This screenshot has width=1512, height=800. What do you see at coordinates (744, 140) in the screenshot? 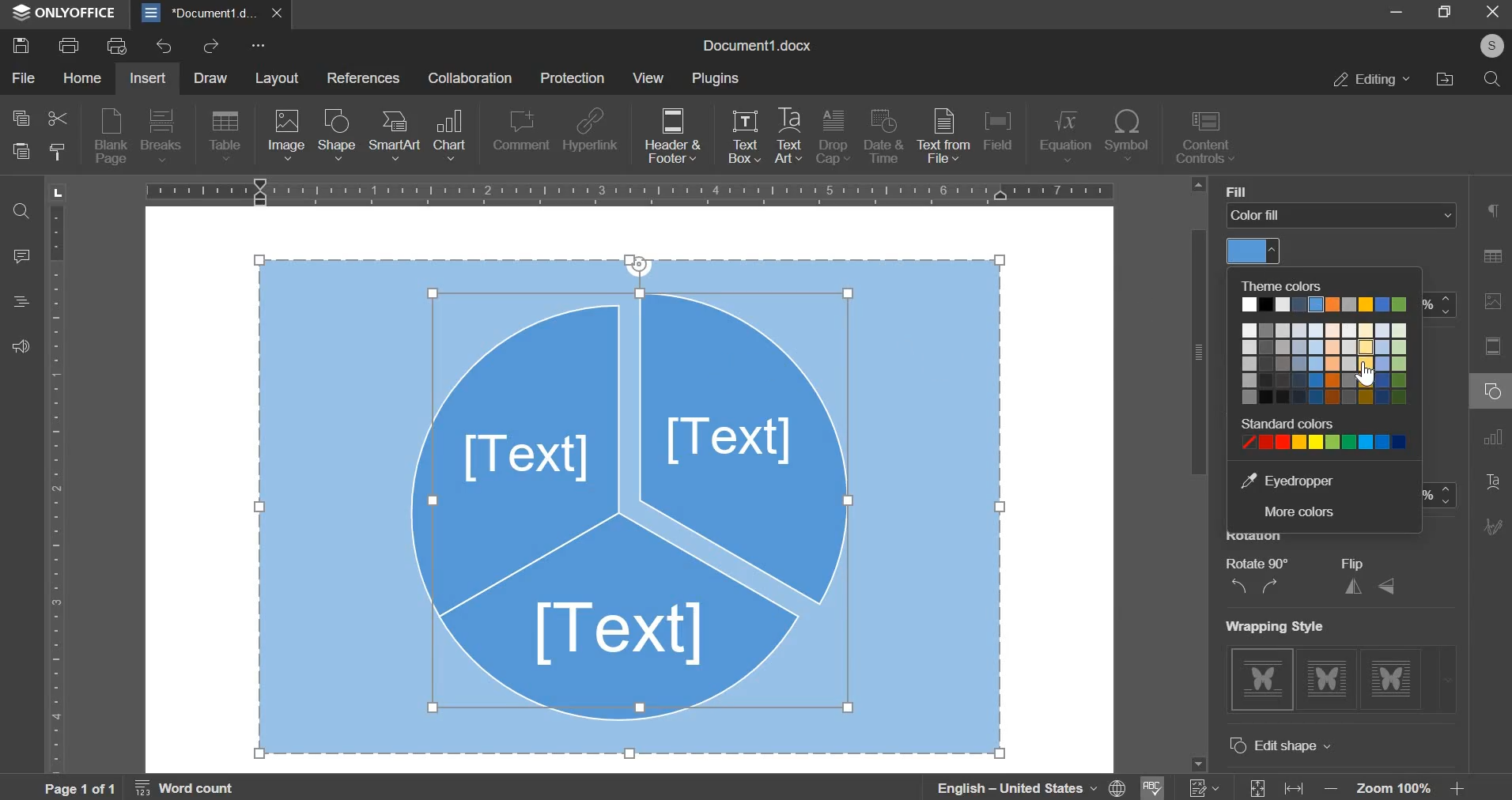
I see `text box` at bounding box center [744, 140].